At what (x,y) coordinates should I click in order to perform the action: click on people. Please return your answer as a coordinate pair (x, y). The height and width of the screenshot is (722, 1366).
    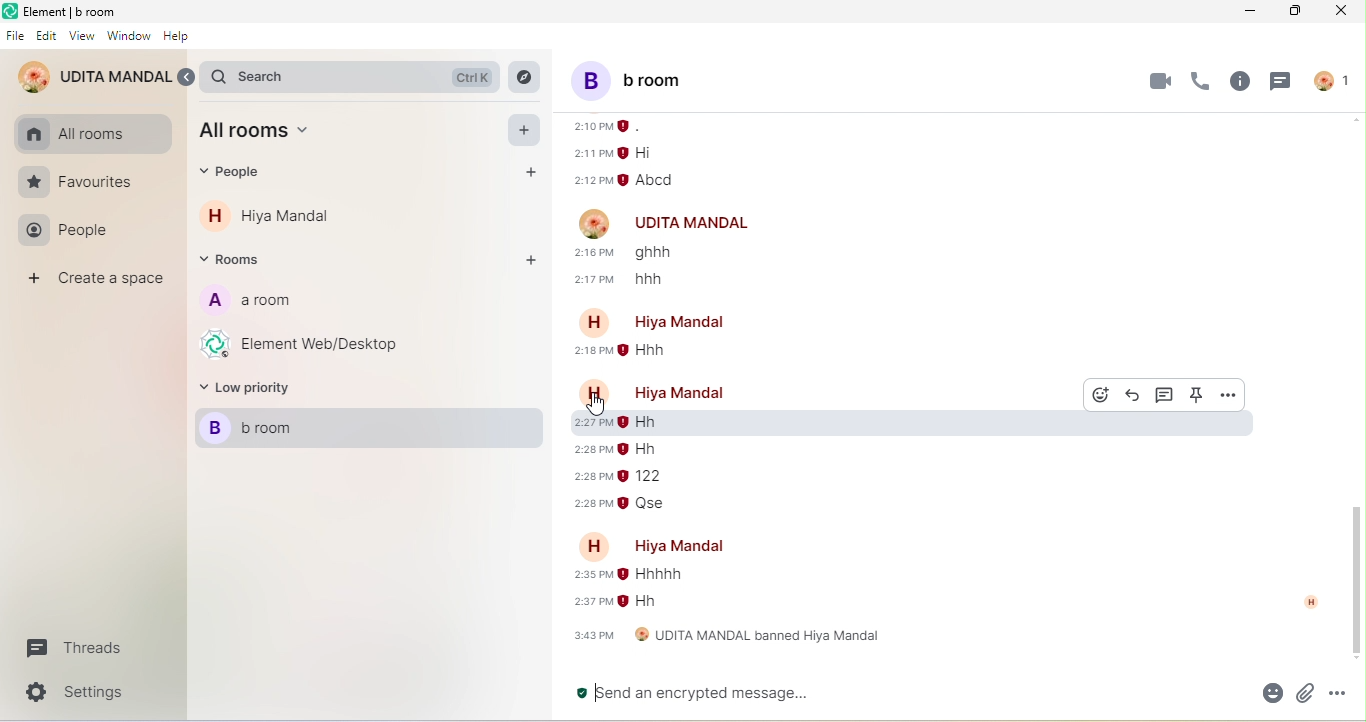
    Looking at the image, I should click on (70, 233).